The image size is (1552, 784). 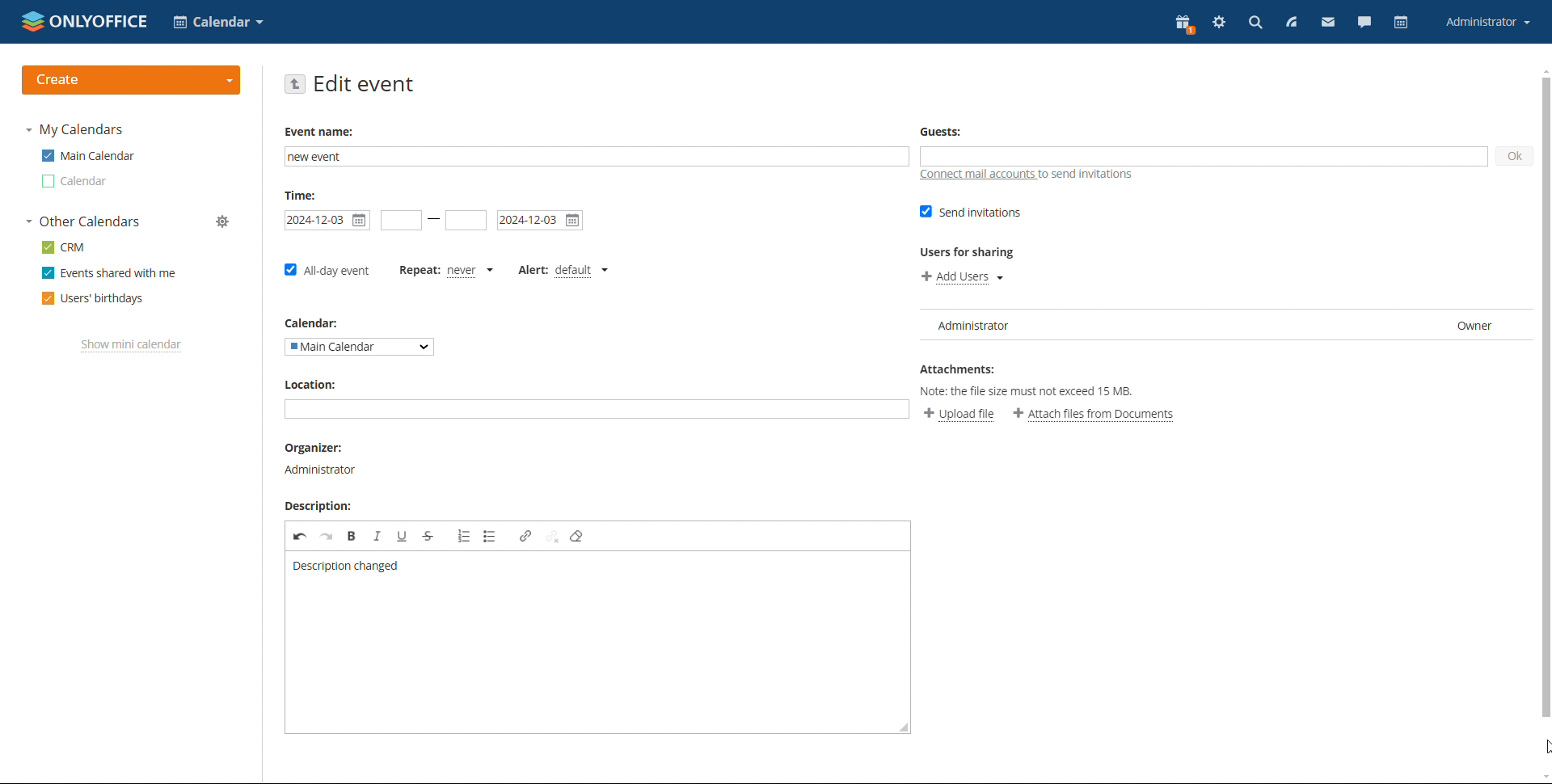 I want to click on Note: the file size must not exceed 15 MB., so click(x=1031, y=393).